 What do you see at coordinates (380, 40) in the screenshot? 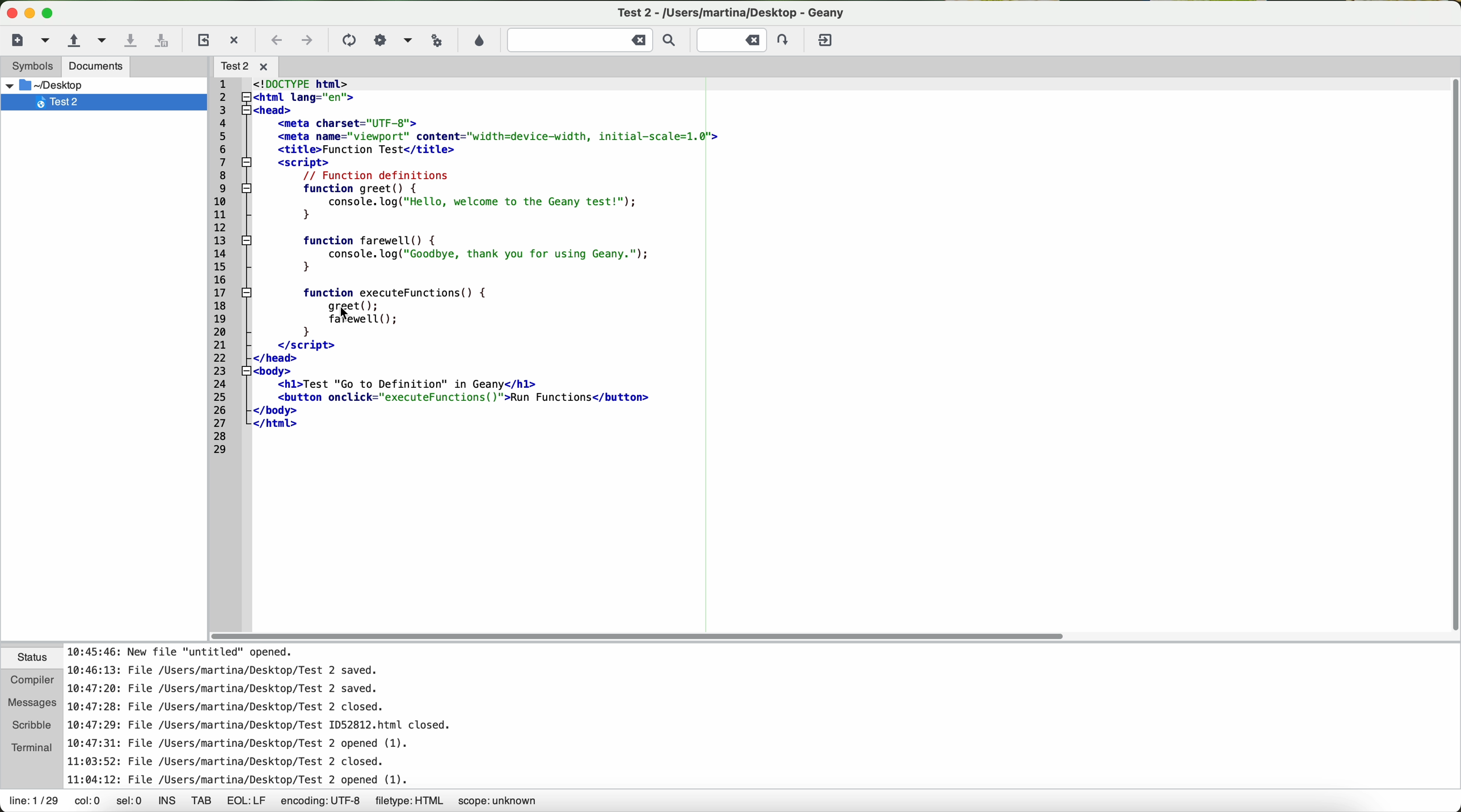
I see `icon` at bounding box center [380, 40].